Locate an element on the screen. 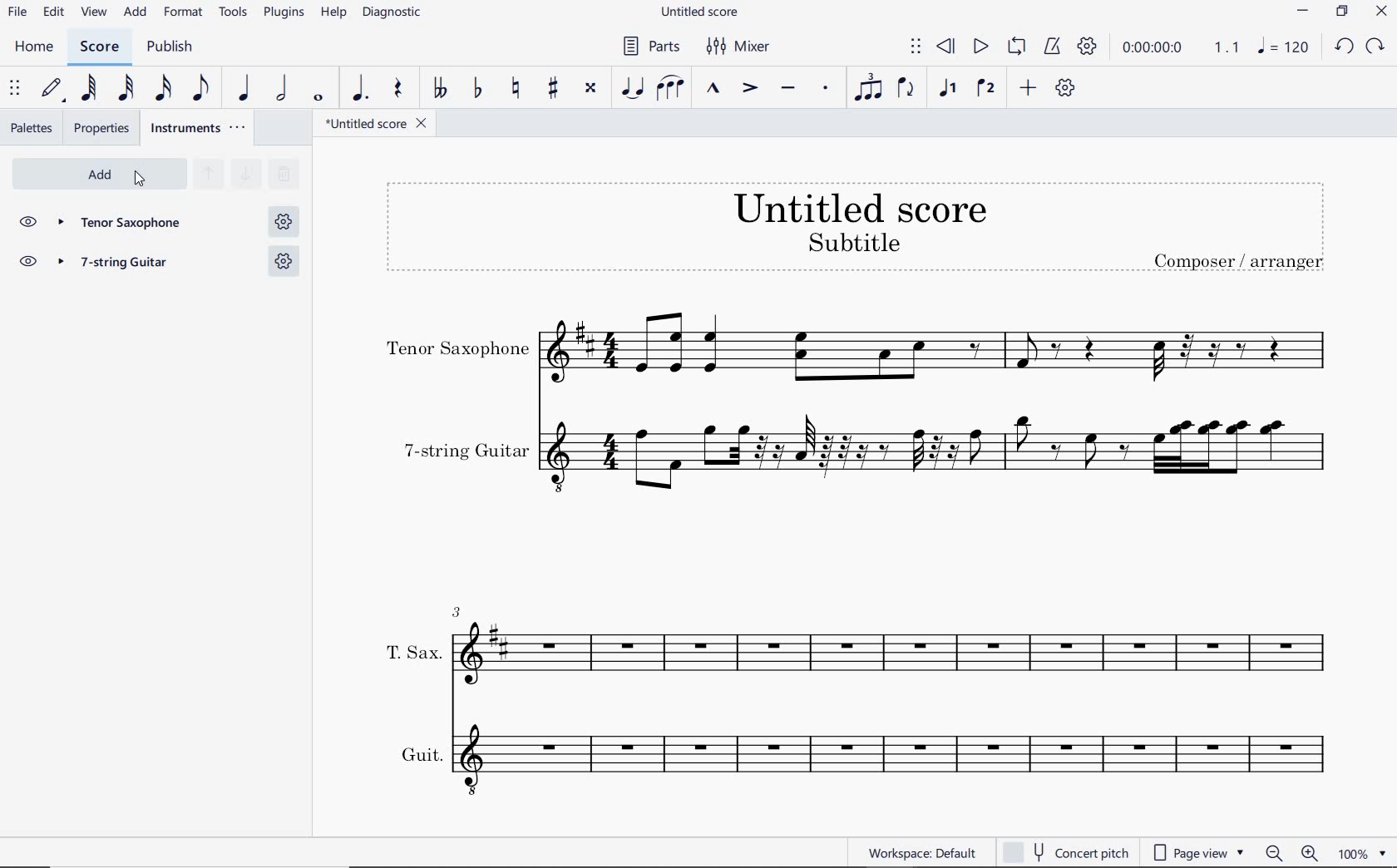  add instrument is located at coordinates (100, 175).